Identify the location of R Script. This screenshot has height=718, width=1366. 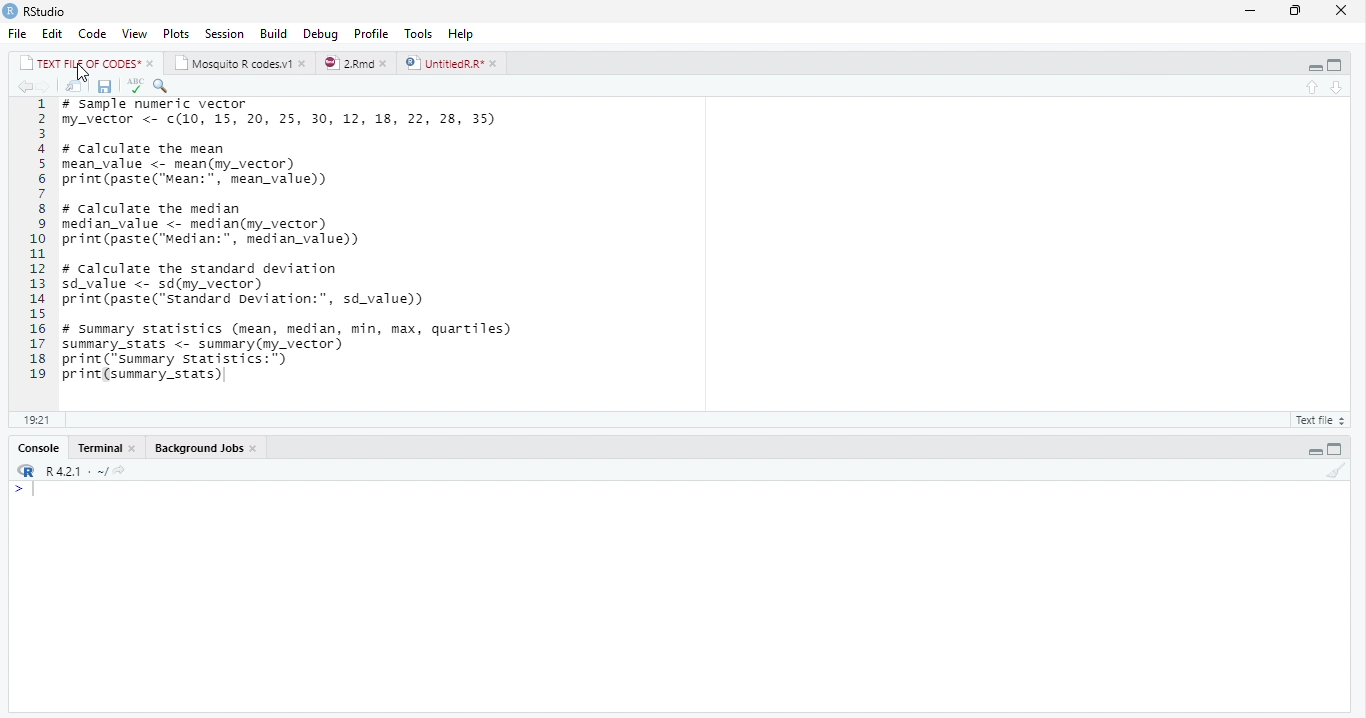
(1317, 421).